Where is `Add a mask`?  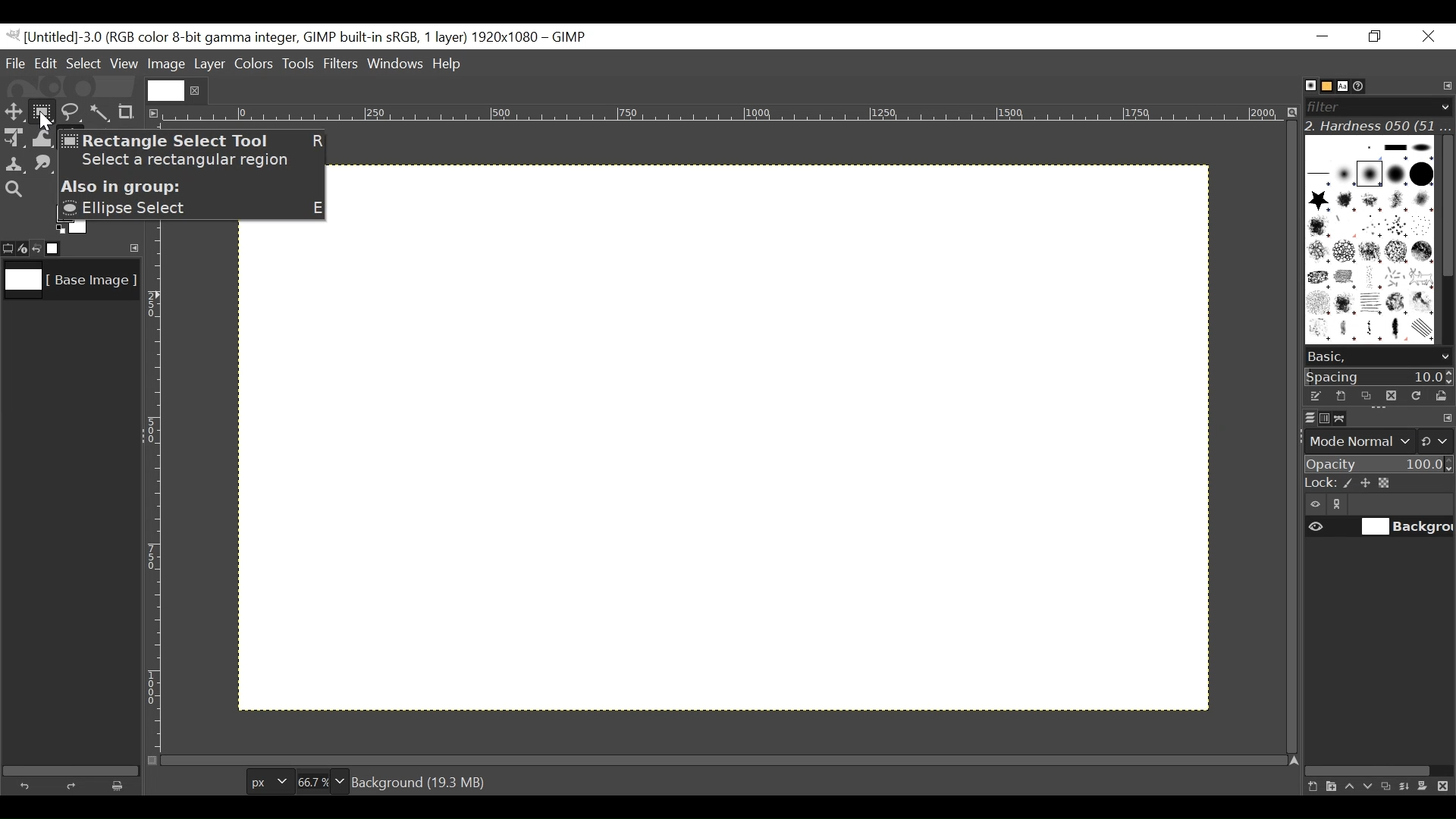 Add a mask is located at coordinates (1427, 789).